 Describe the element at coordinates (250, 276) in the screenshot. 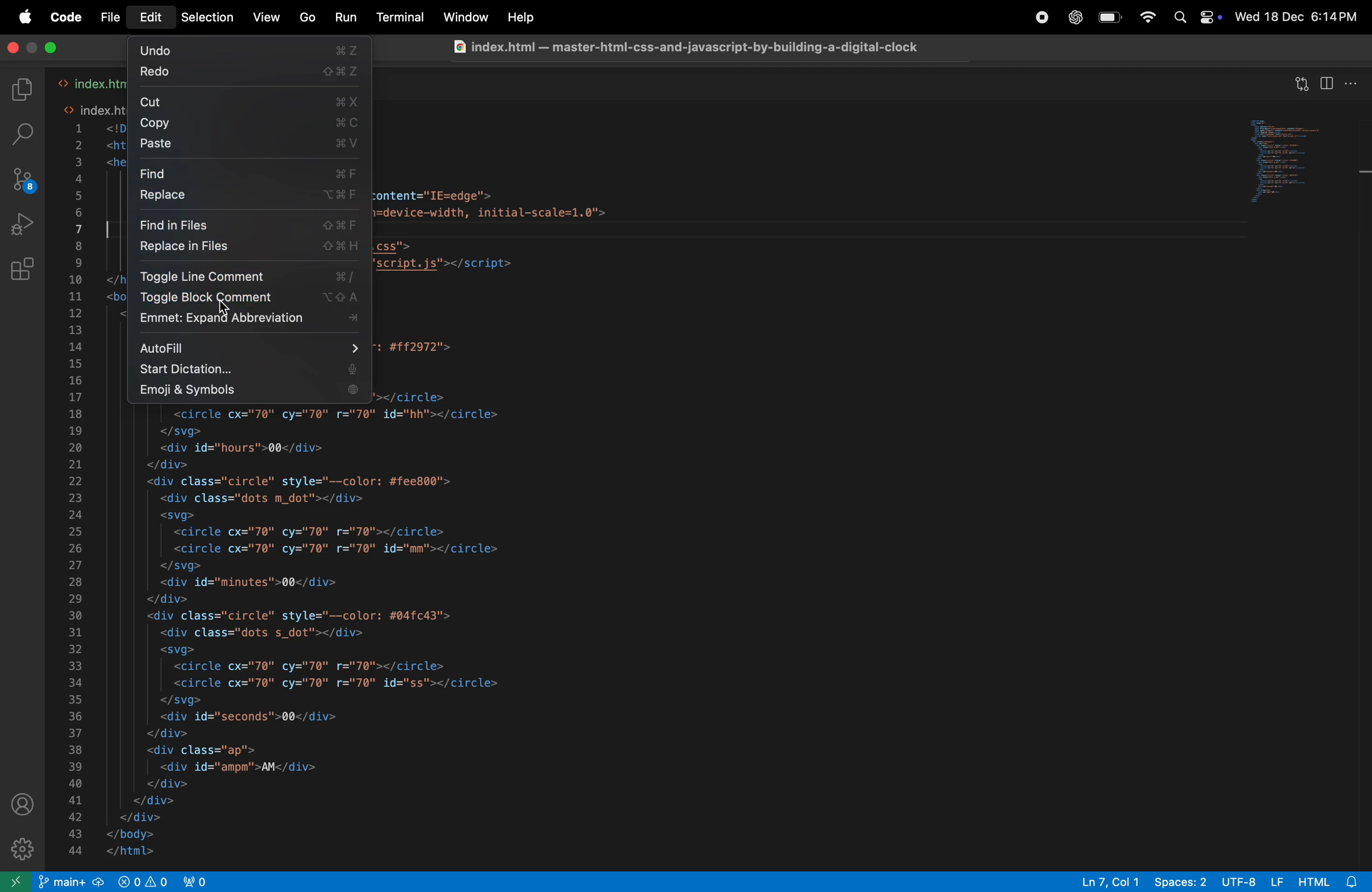

I see `toggle line comments` at that location.